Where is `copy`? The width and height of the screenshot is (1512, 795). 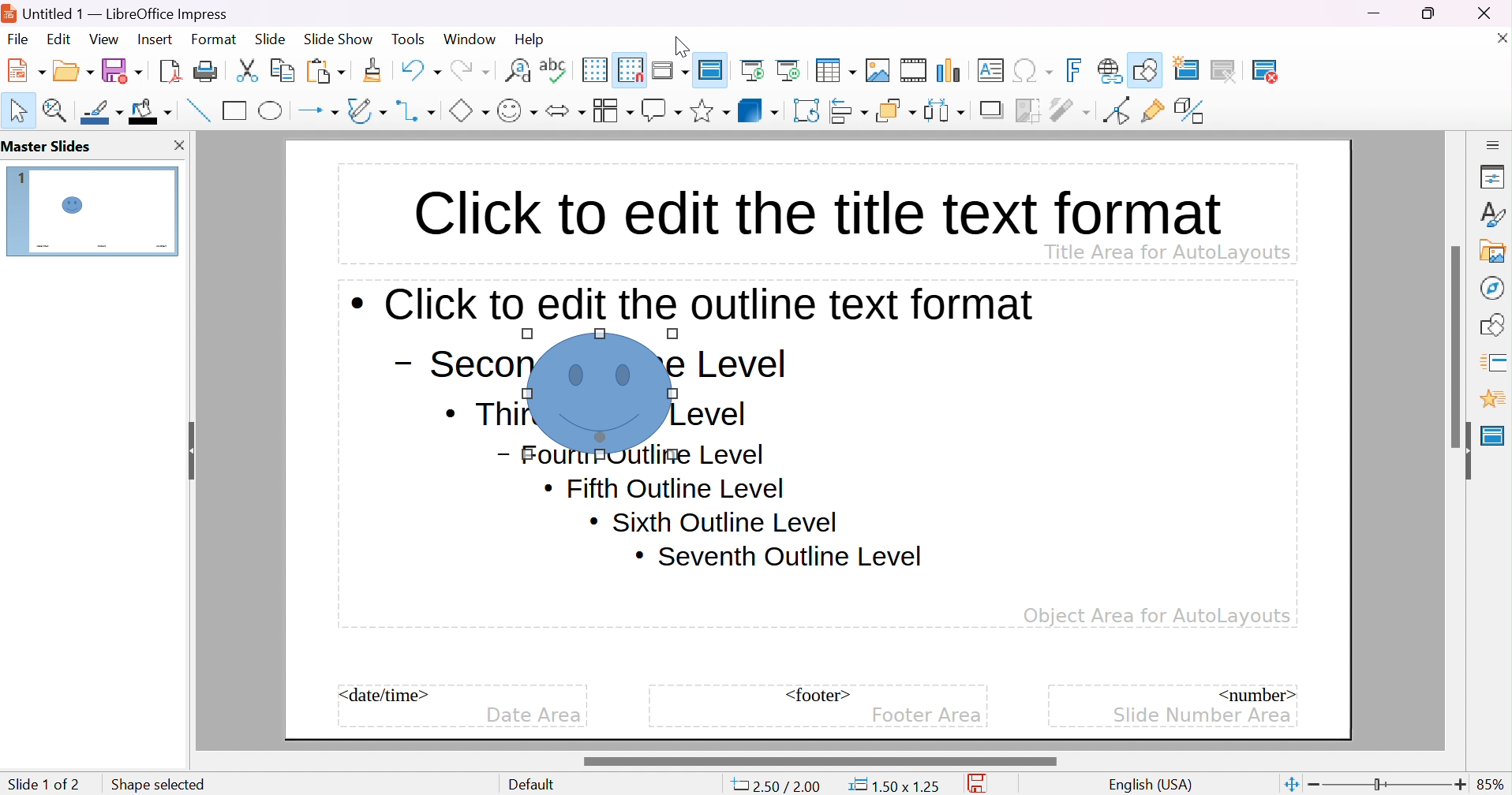 copy is located at coordinates (283, 68).